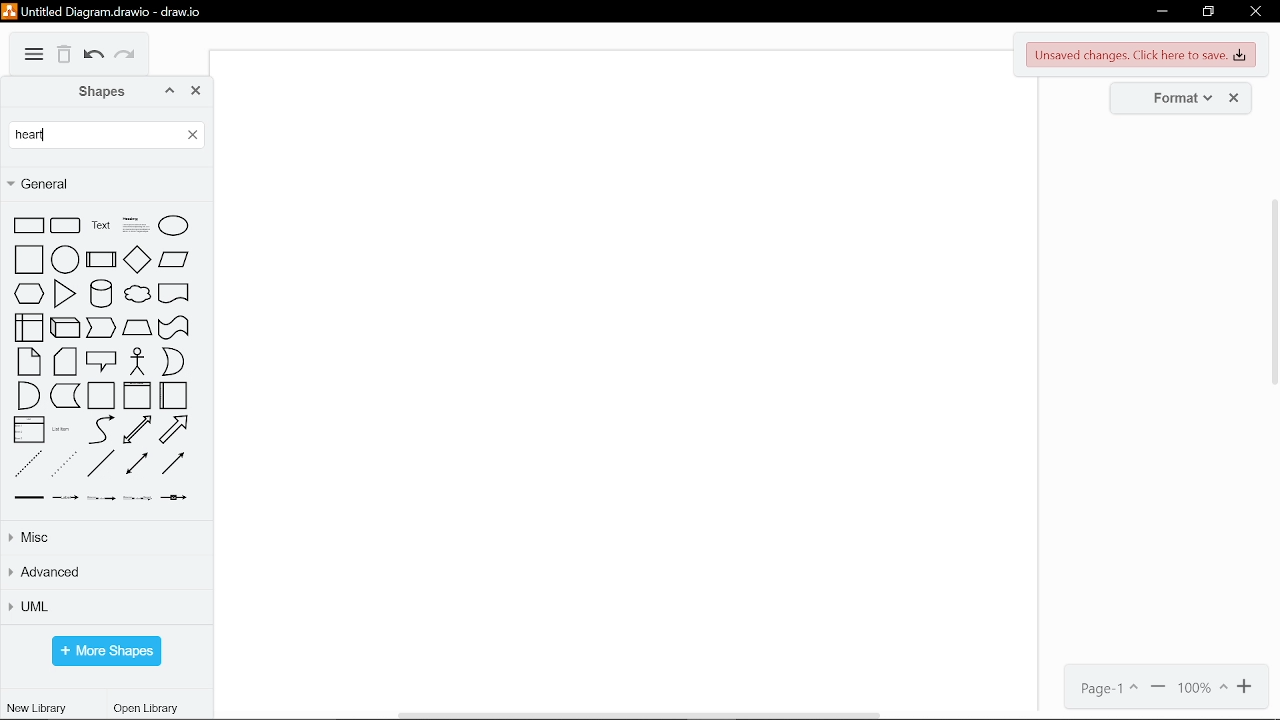 This screenshot has height=720, width=1280. Describe the element at coordinates (102, 329) in the screenshot. I see `step` at that location.